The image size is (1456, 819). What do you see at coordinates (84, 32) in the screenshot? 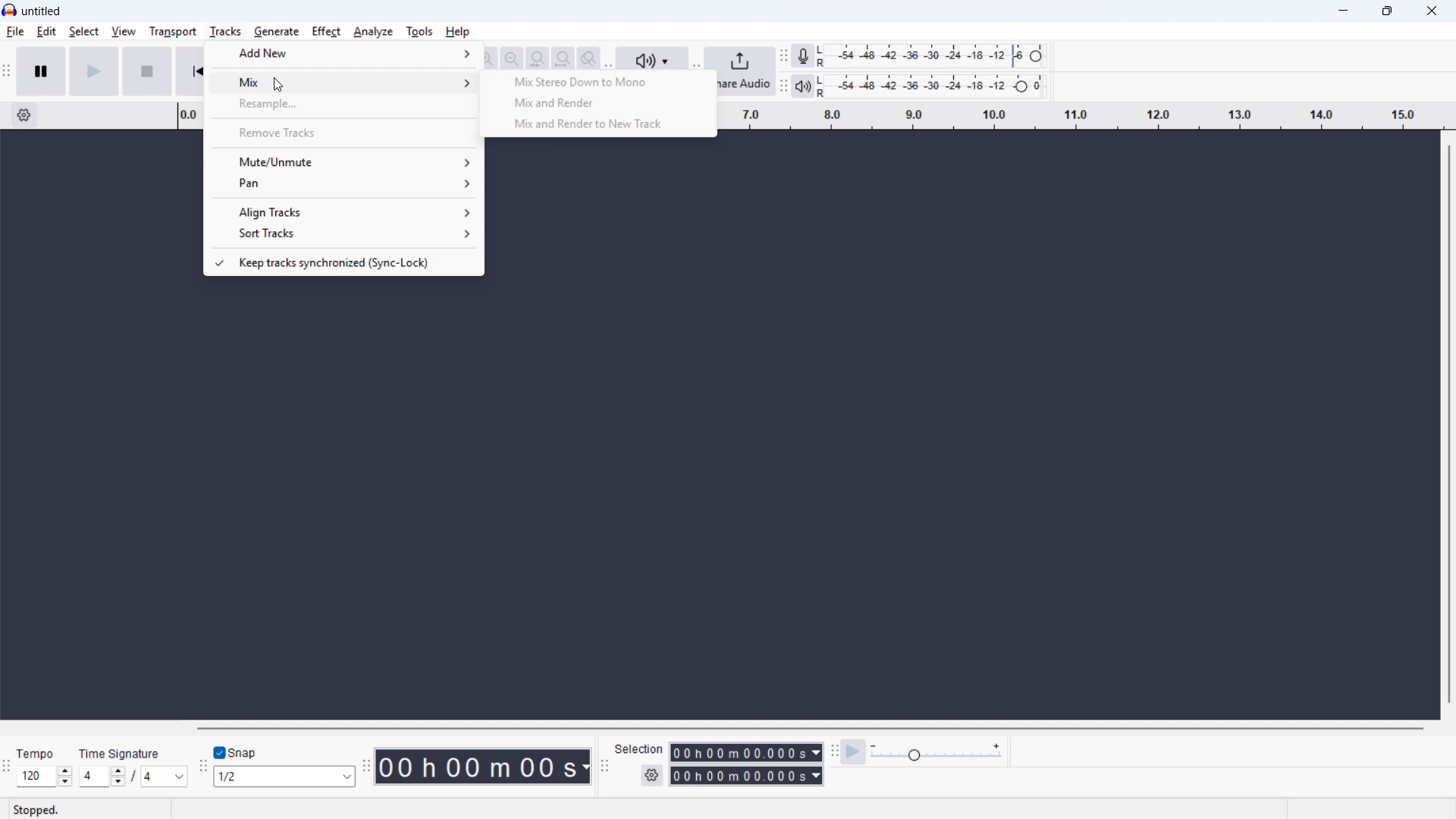
I see `select ` at bounding box center [84, 32].